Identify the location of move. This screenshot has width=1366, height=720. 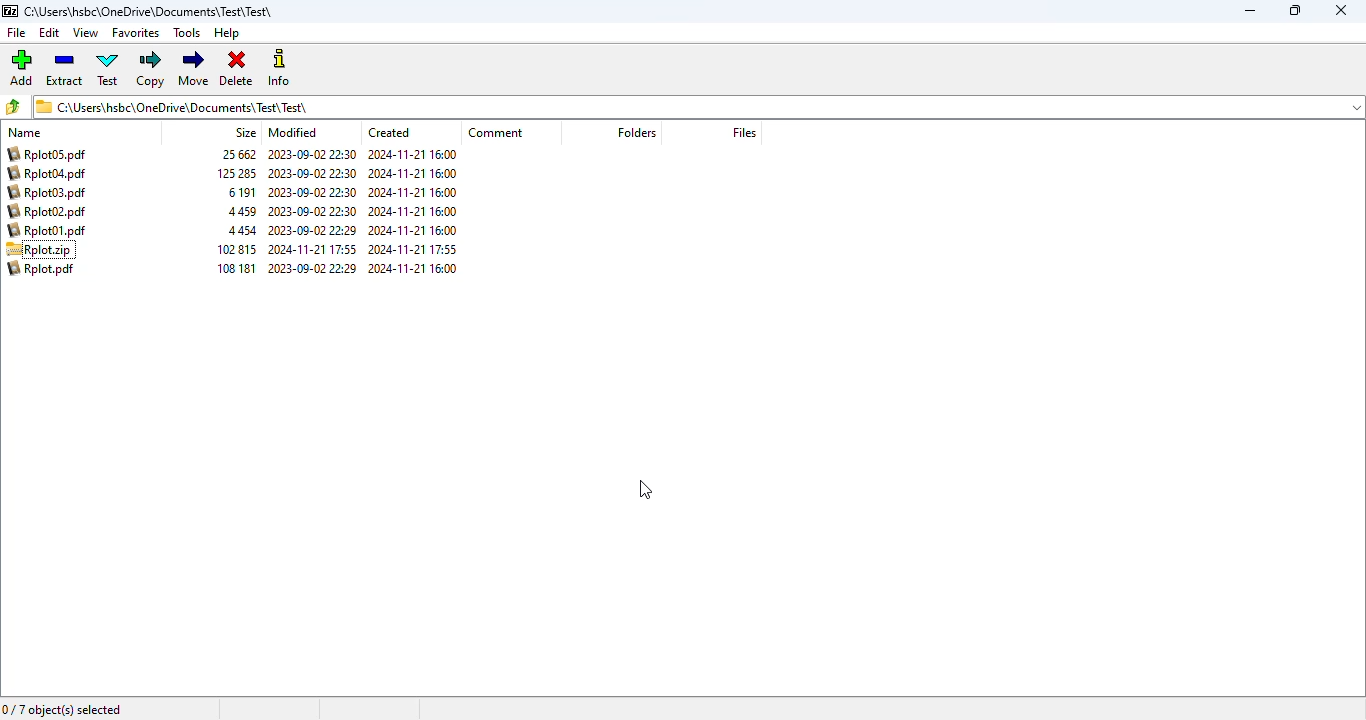
(193, 68).